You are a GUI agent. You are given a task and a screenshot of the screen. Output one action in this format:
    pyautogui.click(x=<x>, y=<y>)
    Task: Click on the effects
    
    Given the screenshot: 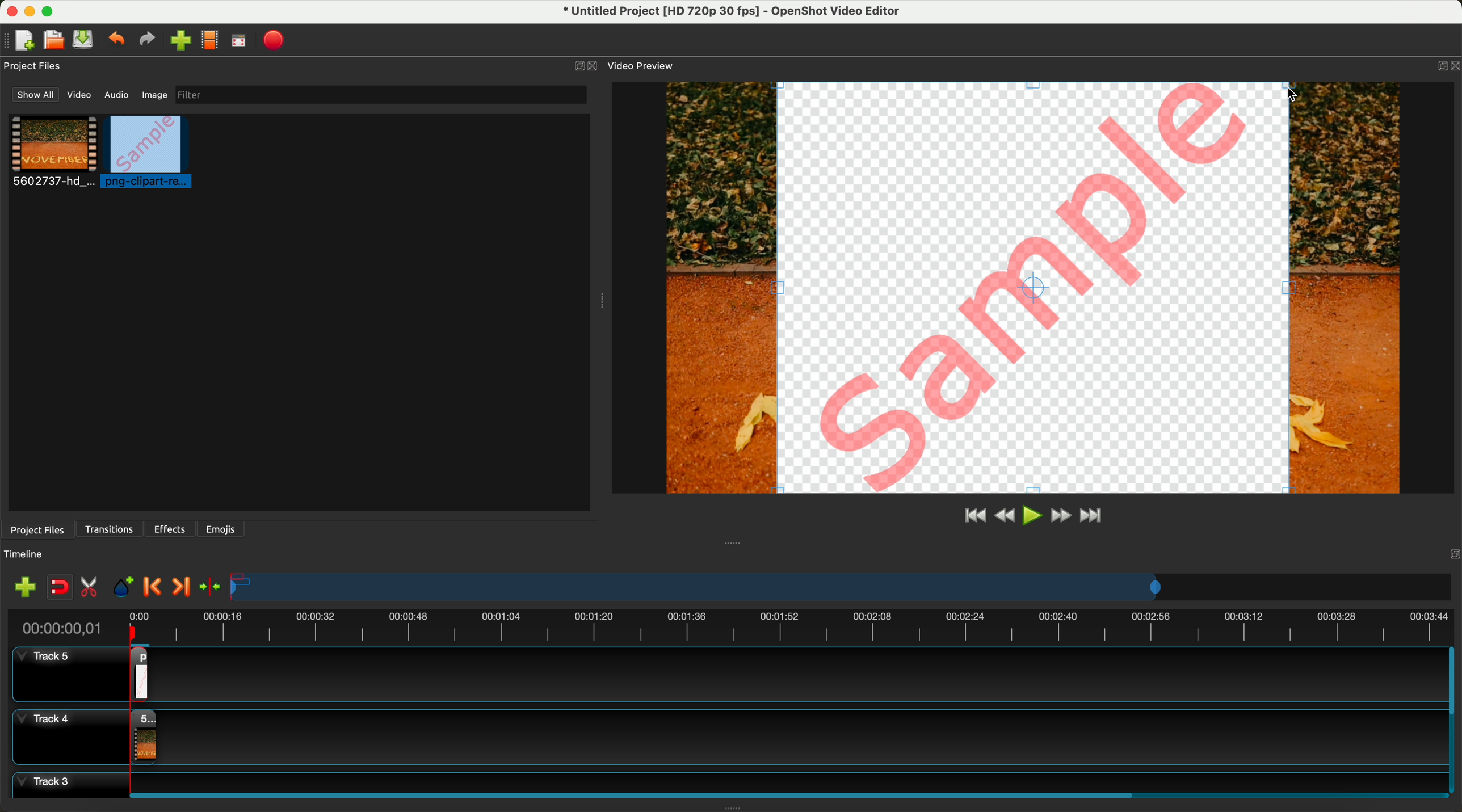 What is the action you would take?
    pyautogui.click(x=171, y=529)
    